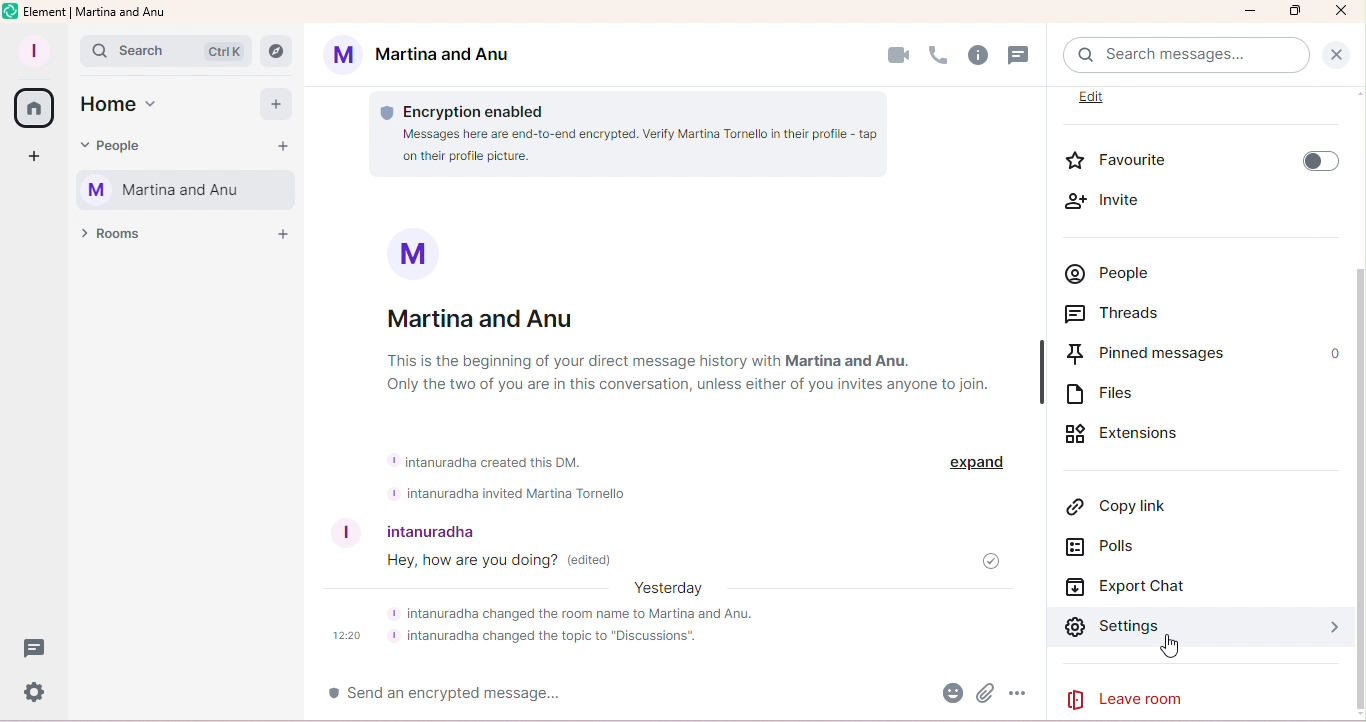  What do you see at coordinates (517, 695) in the screenshot?
I see `Write message` at bounding box center [517, 695].